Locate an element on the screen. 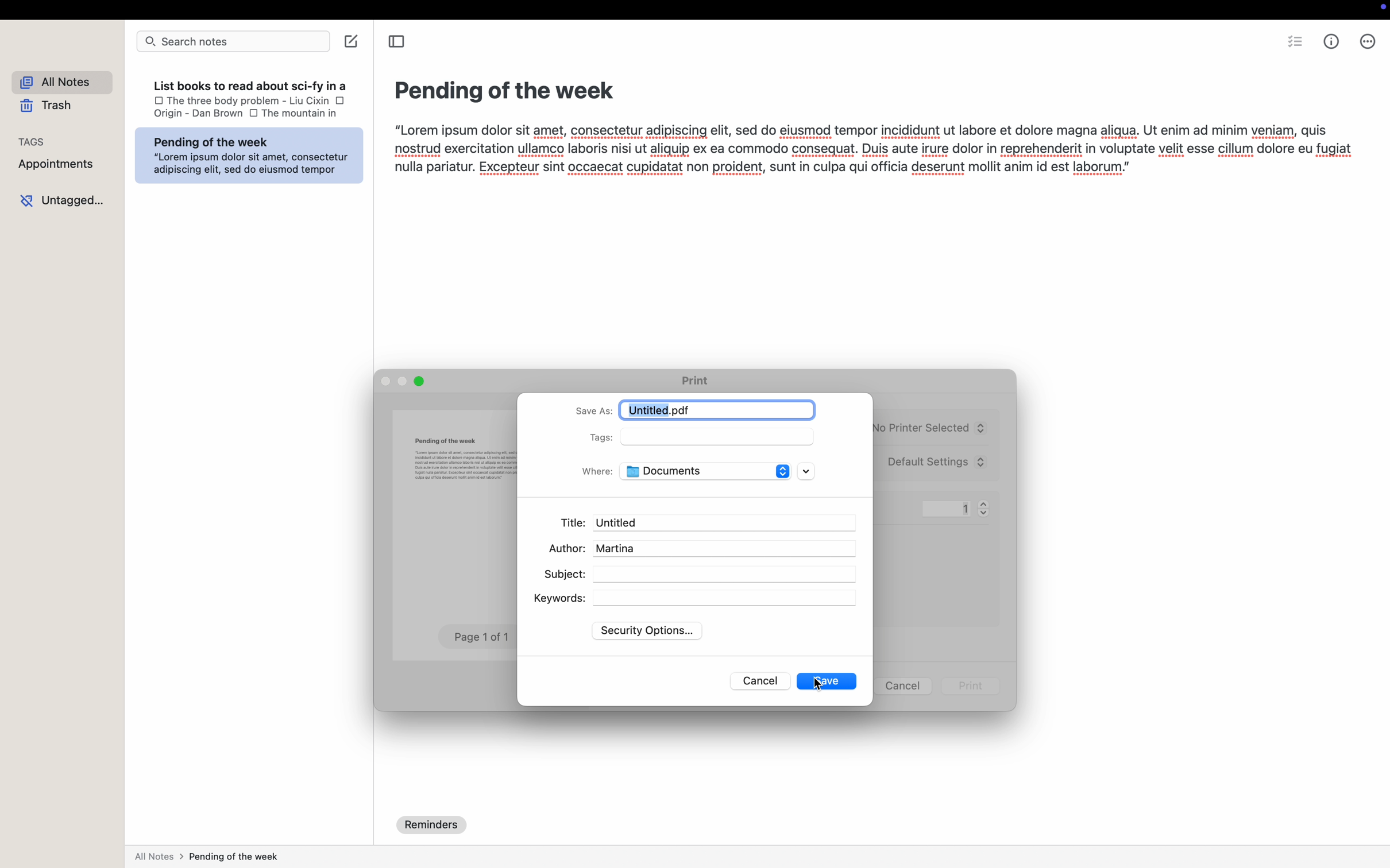 This screenshot has height=868, width=1390. Untitled.pdf  is located at coordinates (723, 409).